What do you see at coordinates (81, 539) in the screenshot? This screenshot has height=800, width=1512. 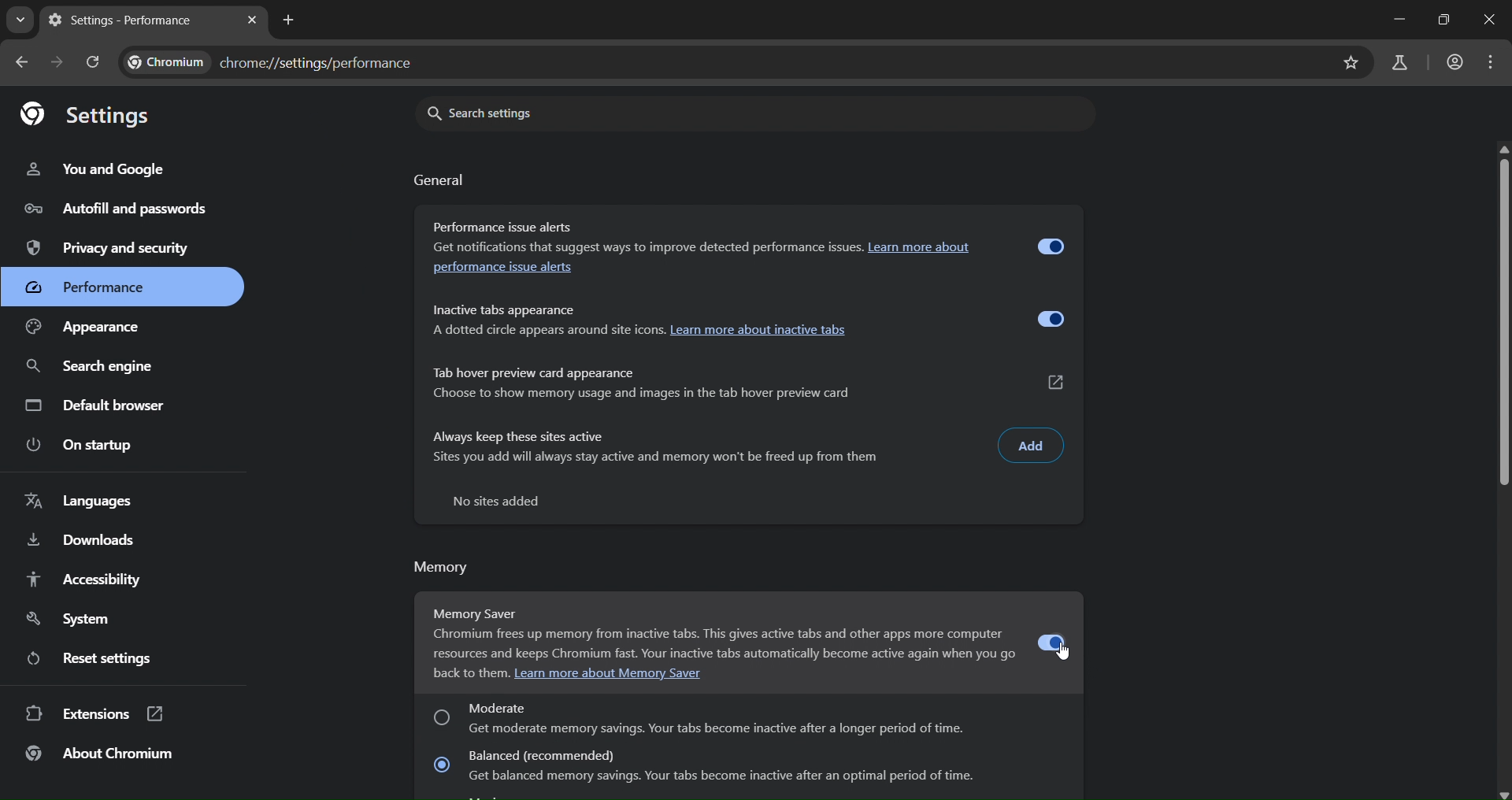 I see `Downloads` at bounding box center [81, 539].